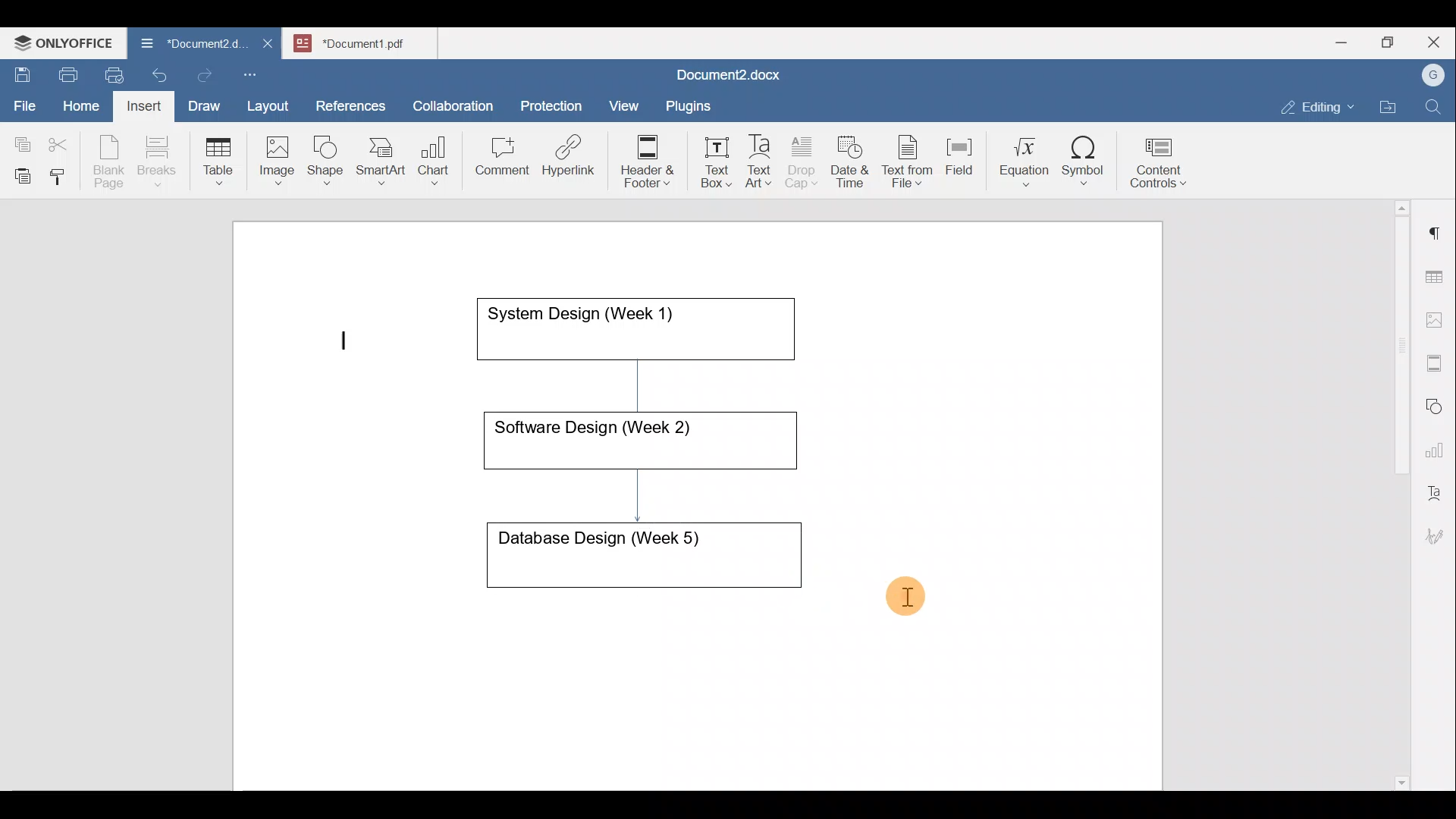 Image resolution: width=1456 pixels, height=819 pixels. I want to click on Text box, so click(706, 162).